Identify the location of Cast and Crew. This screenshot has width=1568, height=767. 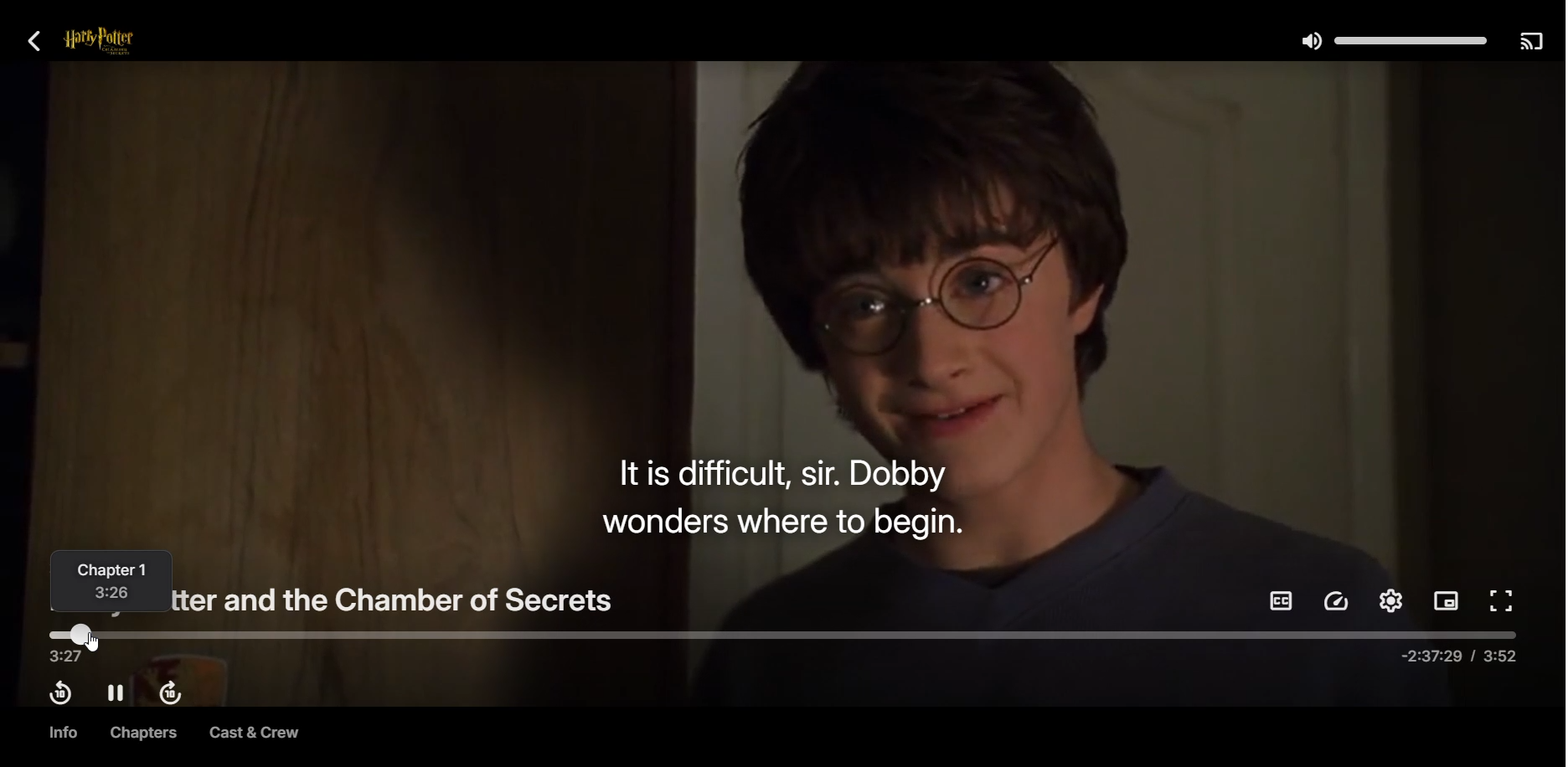
(254, 734).